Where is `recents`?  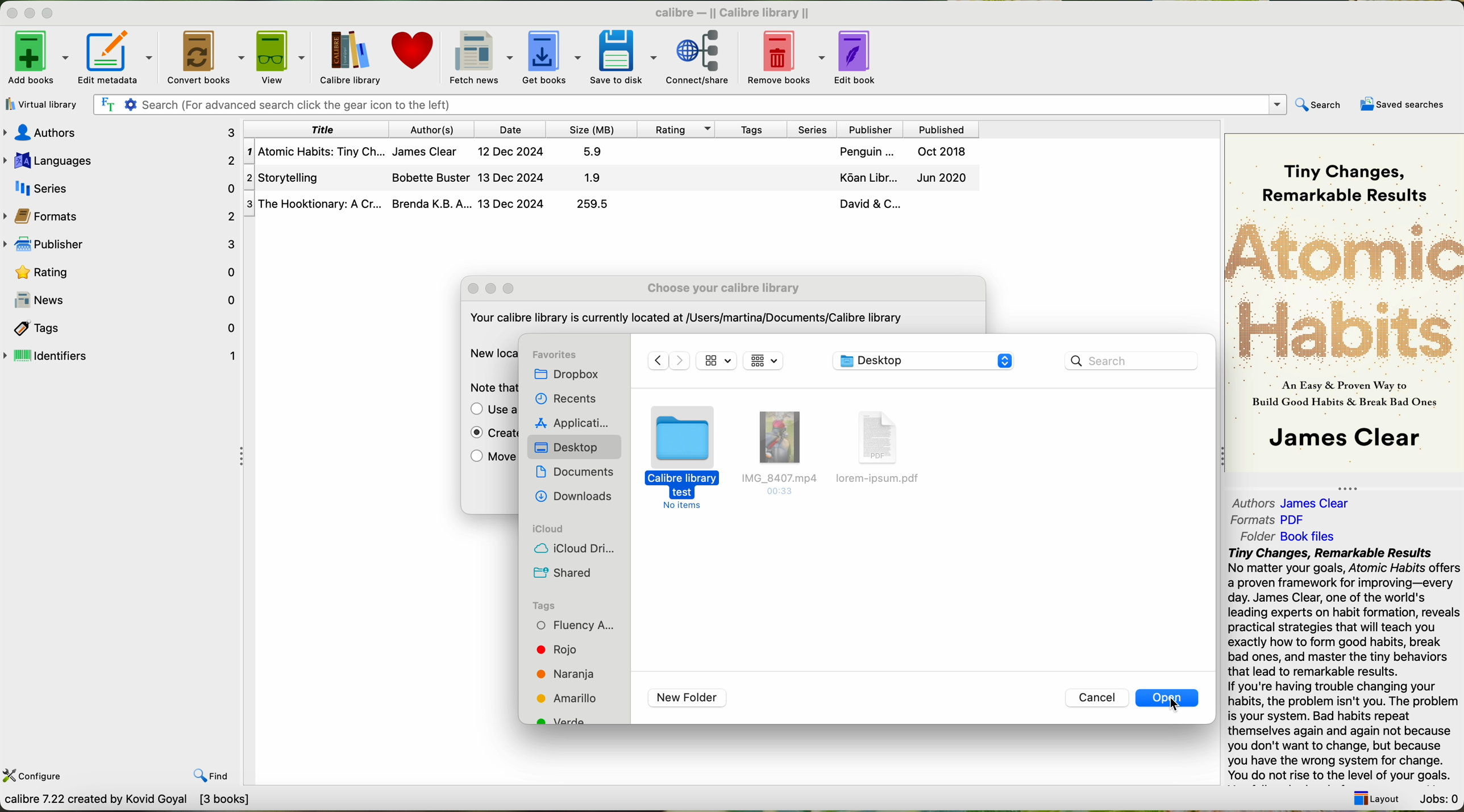 recents is located at coordinates (564, 400).